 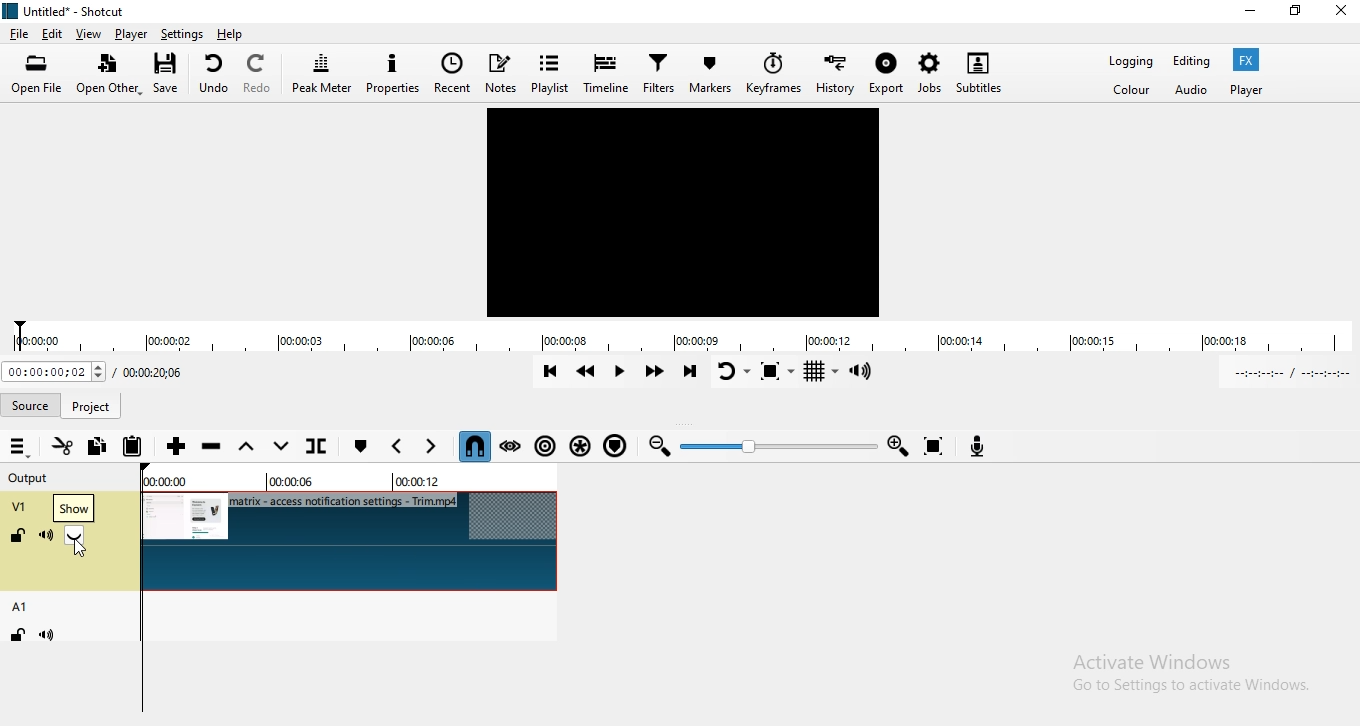 What do you see at coordinates (15, 636) in the screenshot?
I see `Lock` at bounding box center [15, 636].